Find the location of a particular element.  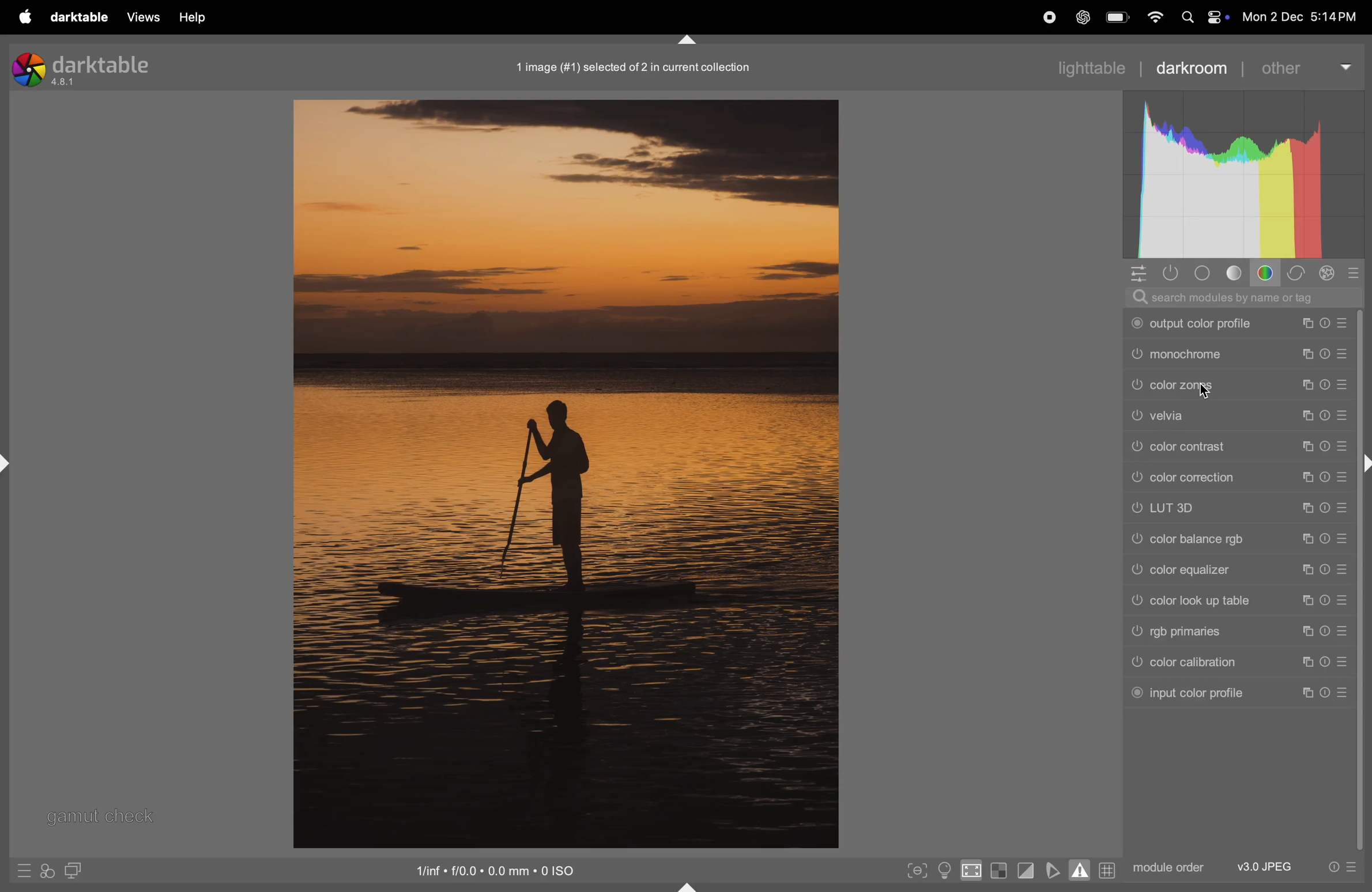

color correction is located at coordinates (1201, 477).